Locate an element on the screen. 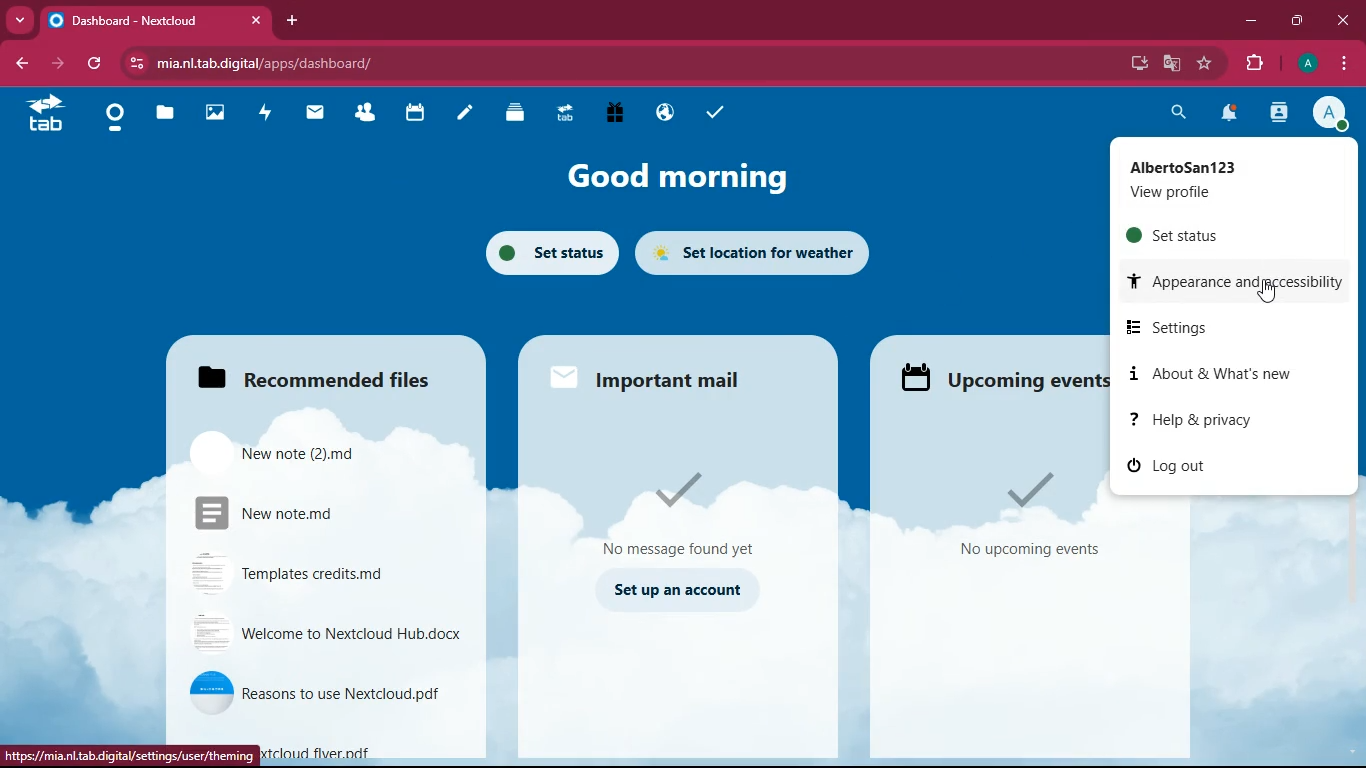 Image resolution: width=1366 pixels, height=768 pixels. set location is located at coordinates (762, 255).